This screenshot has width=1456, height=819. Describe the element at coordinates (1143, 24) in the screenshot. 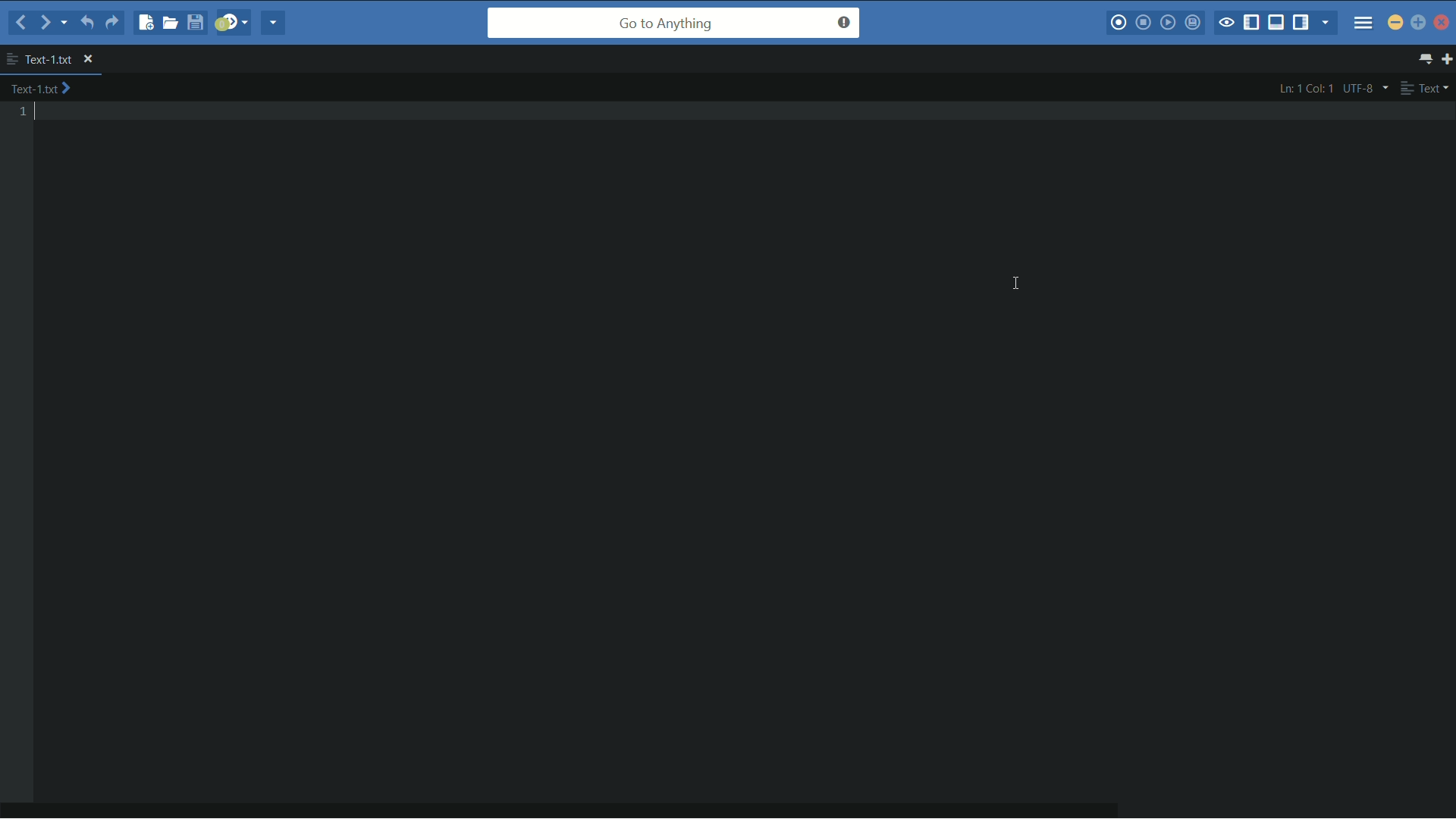

I see `stop macro` at that location.